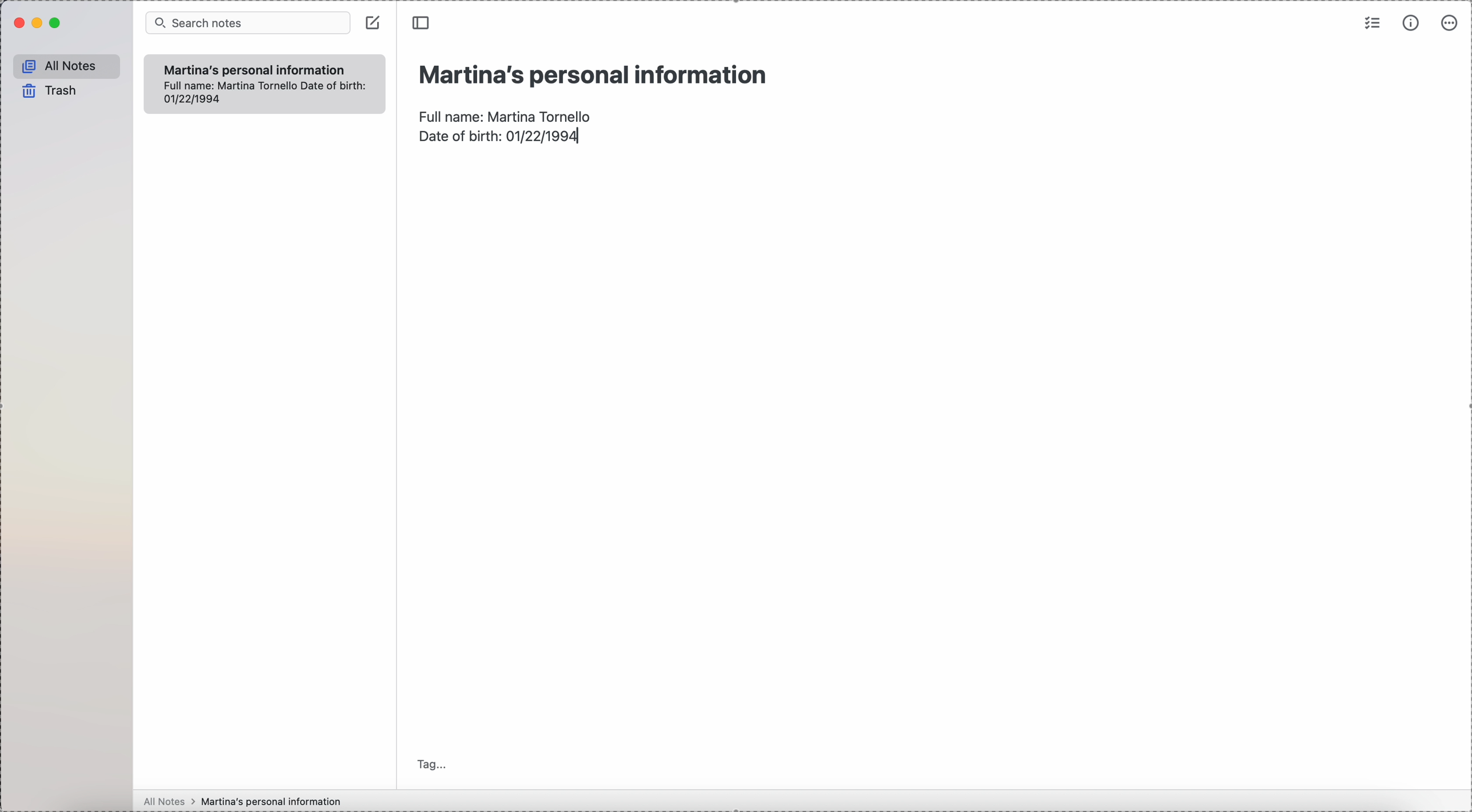 The width and height of the screenshot is (1472, 812). Describe the element at coordinates (507, 114) in the screenshot. I see `full name: Martina Tornello` at that location.